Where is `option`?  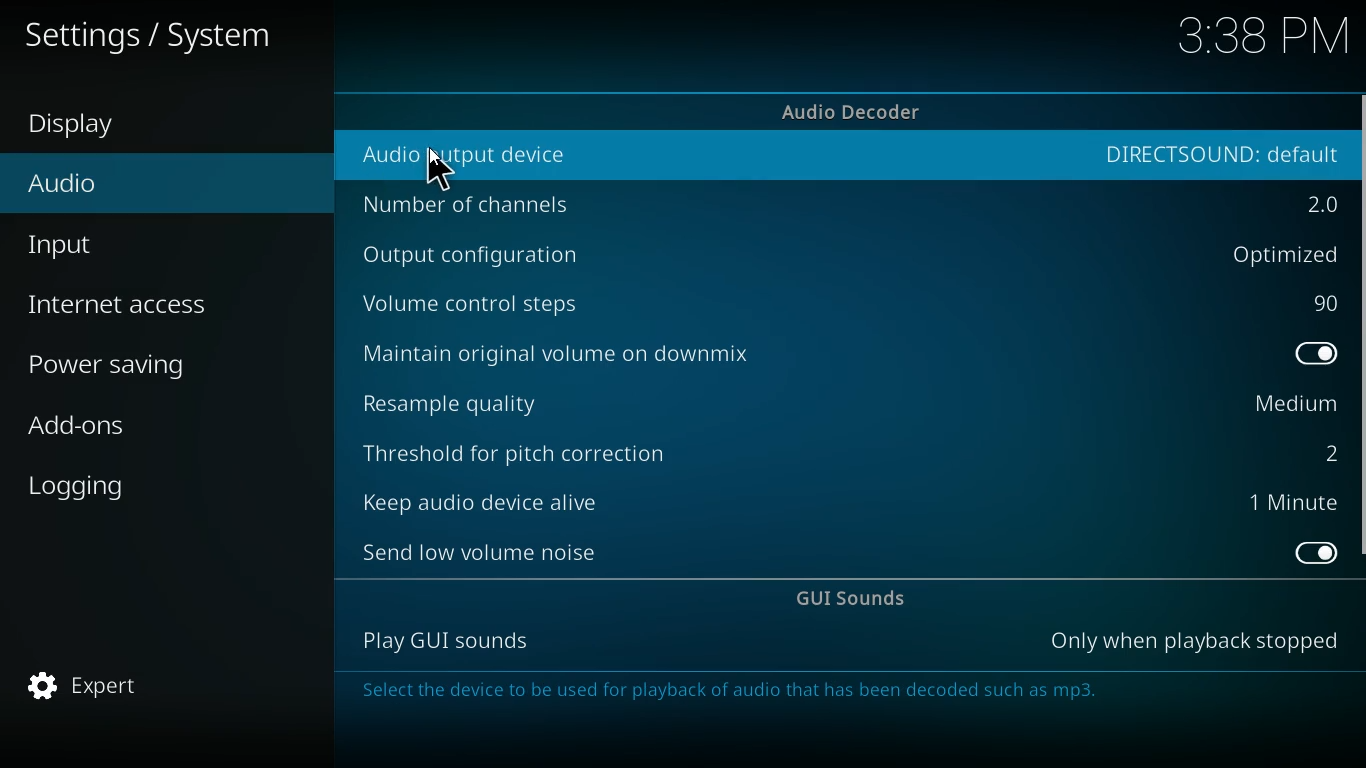
option is located at coordinates (1316, 204).